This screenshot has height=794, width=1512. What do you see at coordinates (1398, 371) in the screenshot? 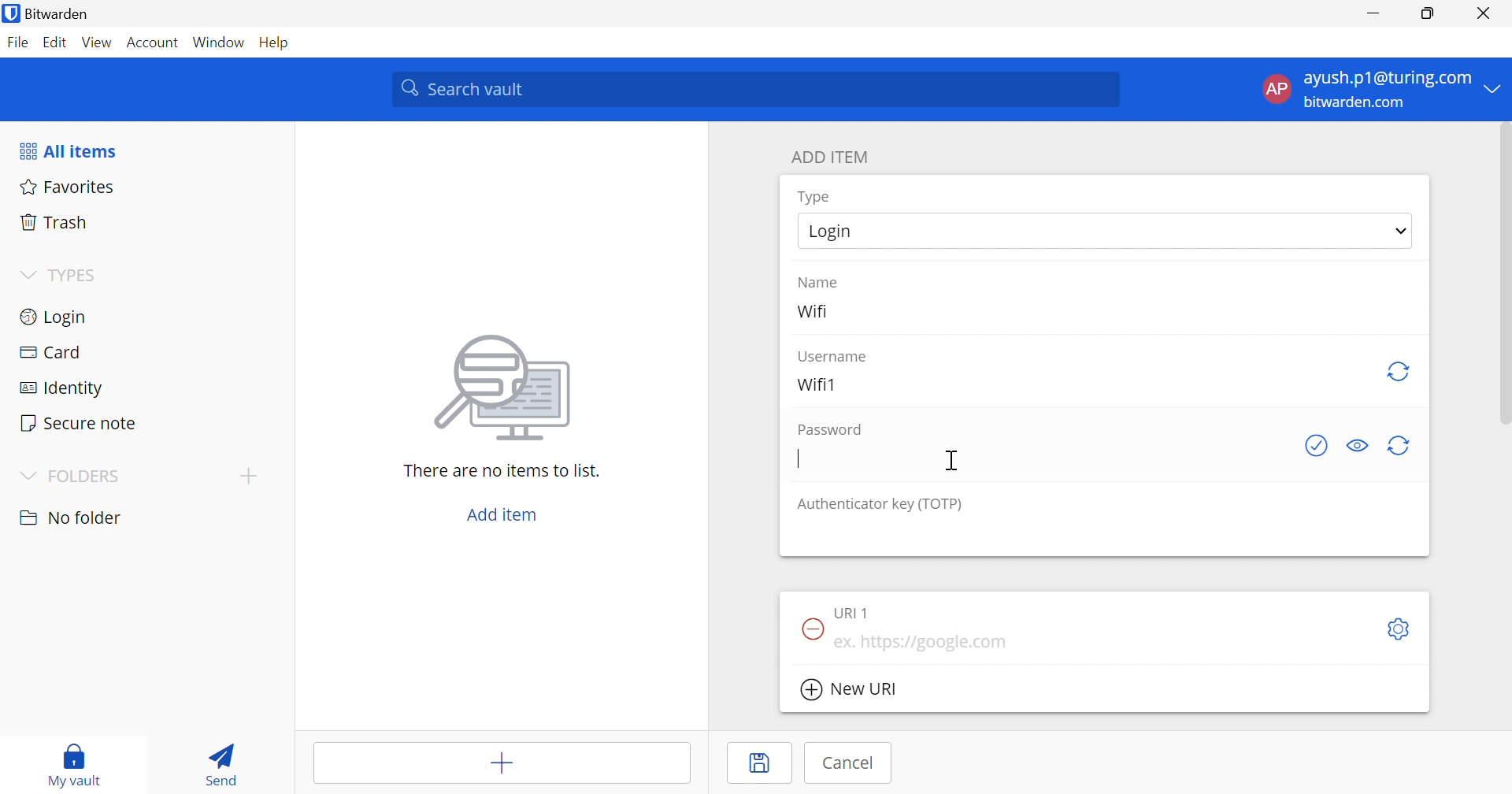
I see `Regenerate username` at bounding box center [1398, 371].